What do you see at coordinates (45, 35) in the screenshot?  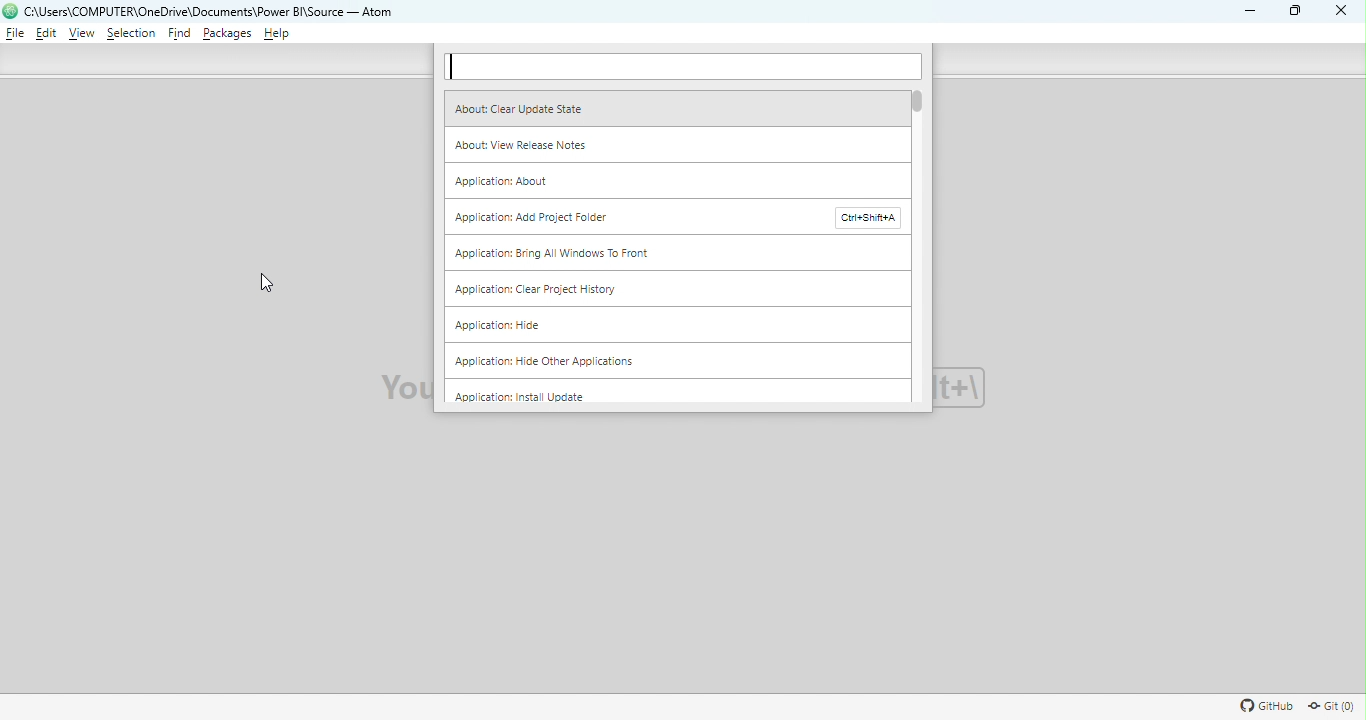 I see `Edit` at bounding box center [45, 35].